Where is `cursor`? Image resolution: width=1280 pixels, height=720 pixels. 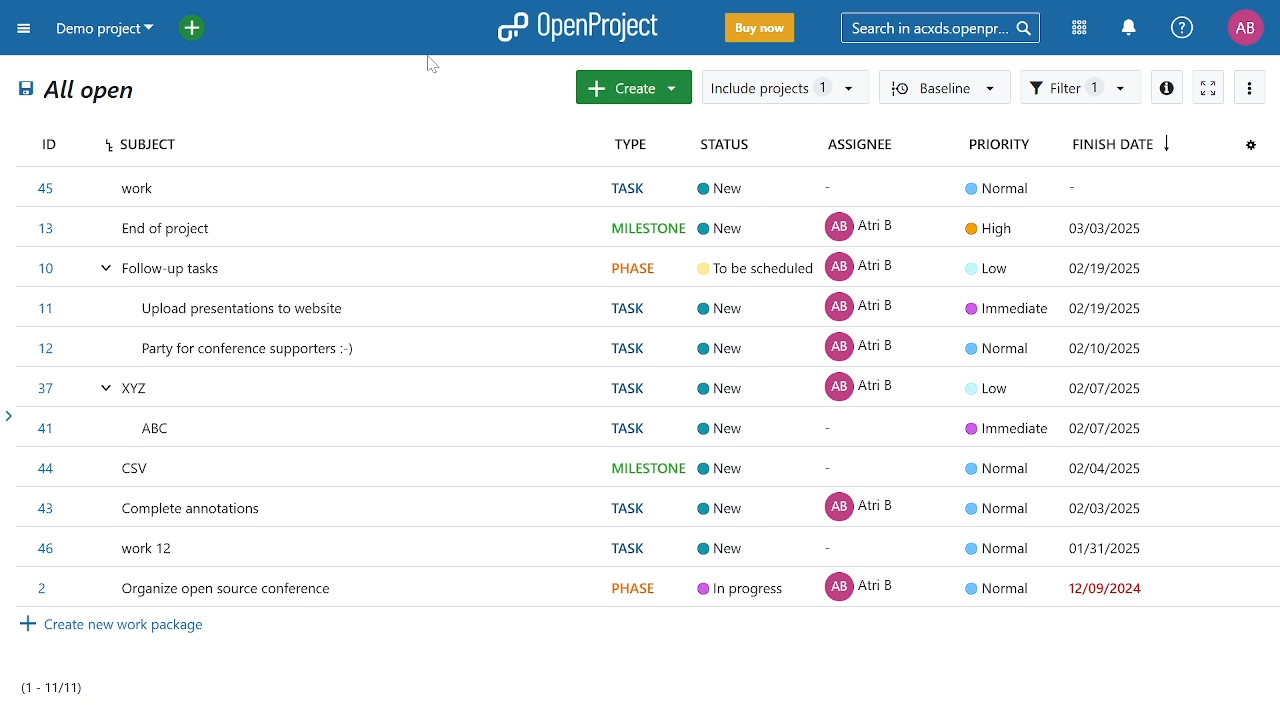 cursor is located at coordinates (433, 68).